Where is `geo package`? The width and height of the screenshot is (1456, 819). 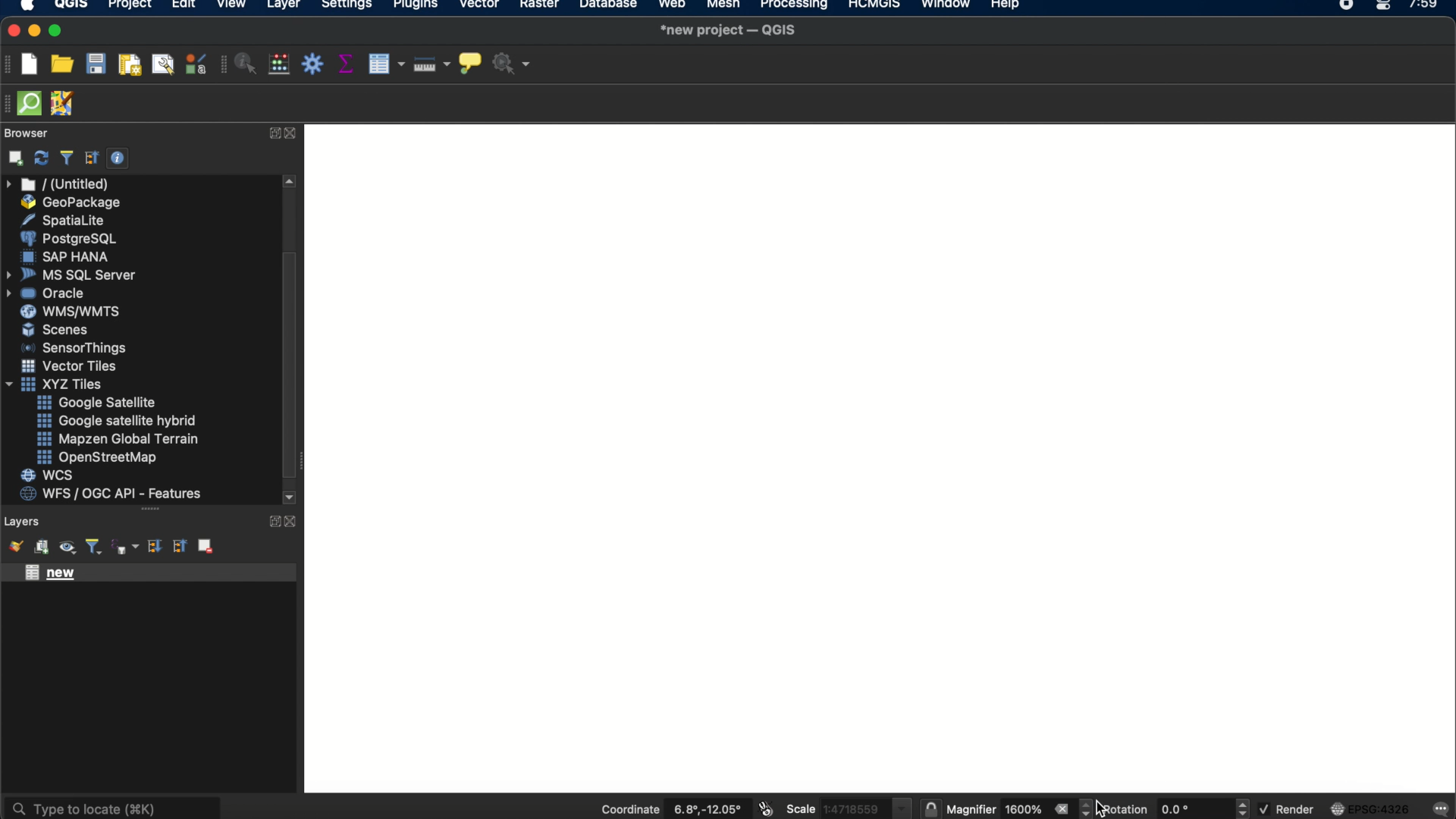
geo package is located at coordinates (69, 202).